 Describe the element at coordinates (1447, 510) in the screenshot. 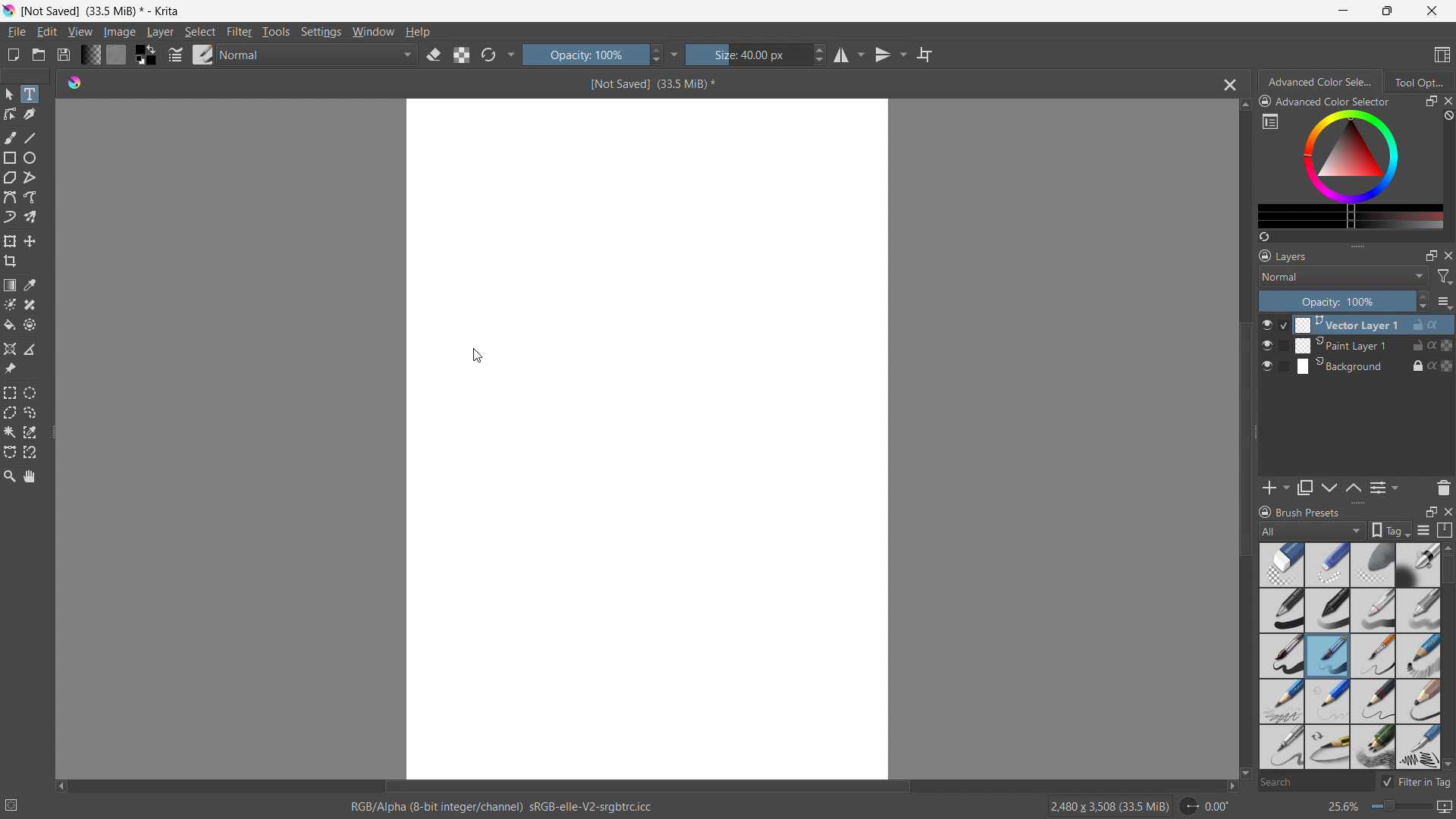

I see `close` at that location.